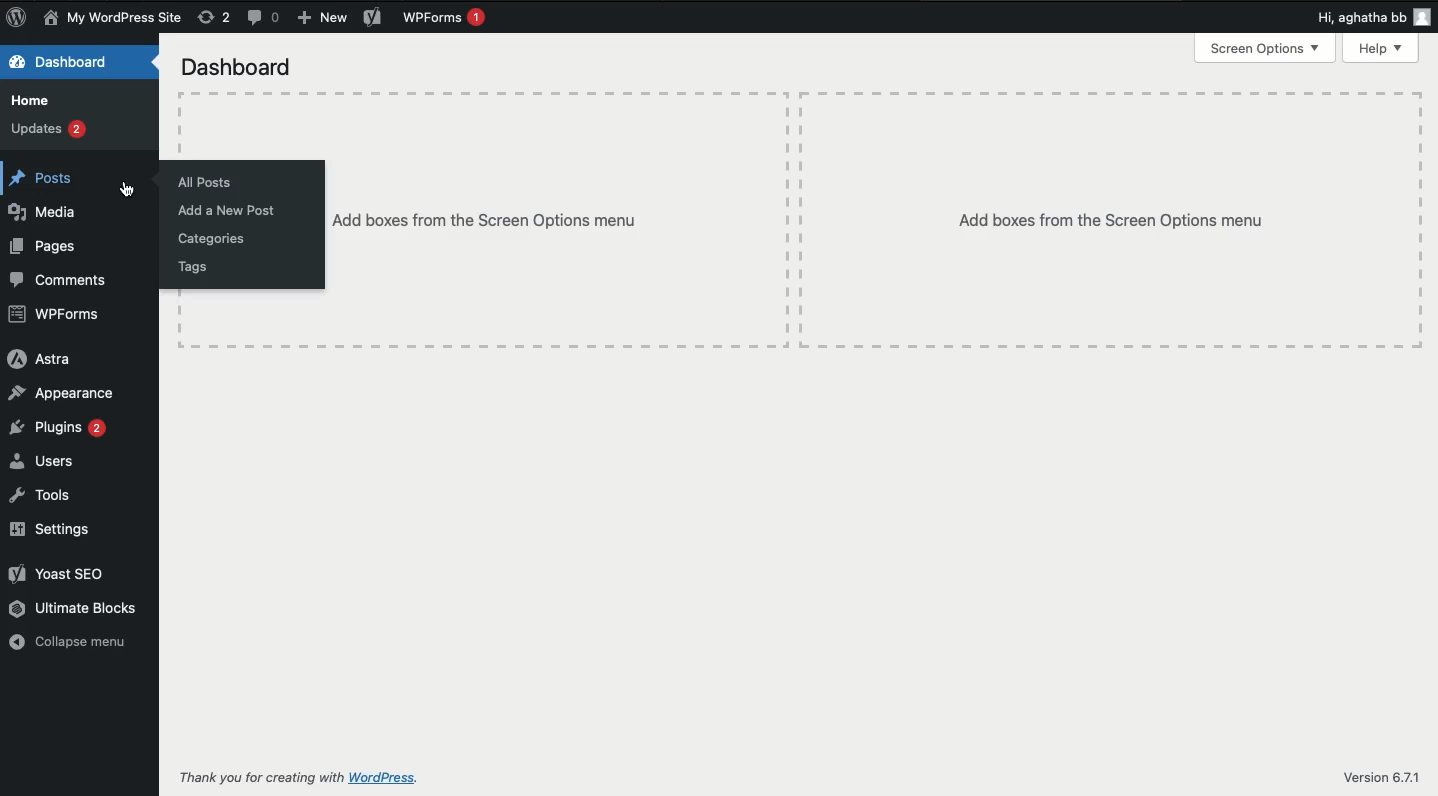 This screenshot has height=796, width=1438. I want to click on Screen options, so click(1268, 47).